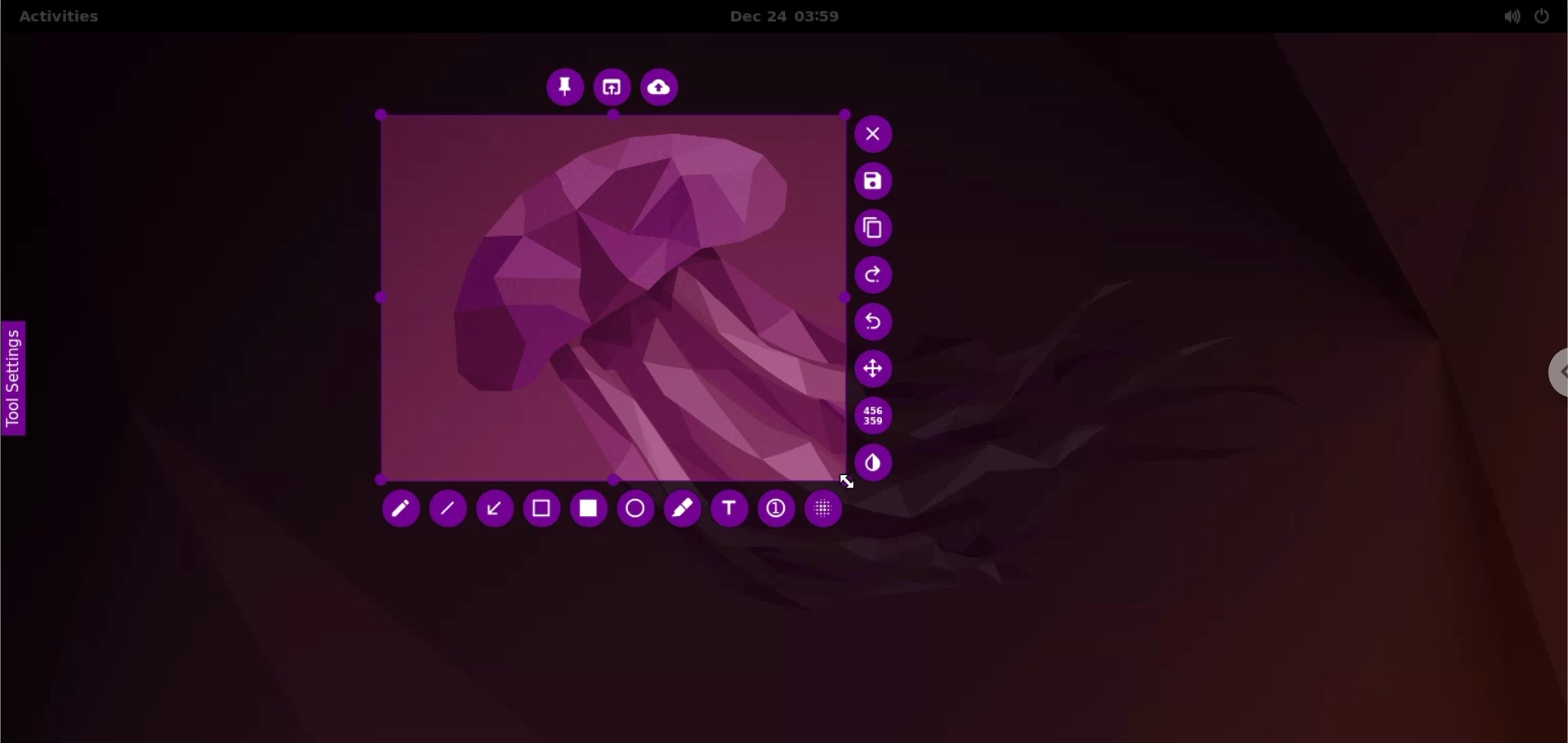  I want to click on redo, so click(880, 277).